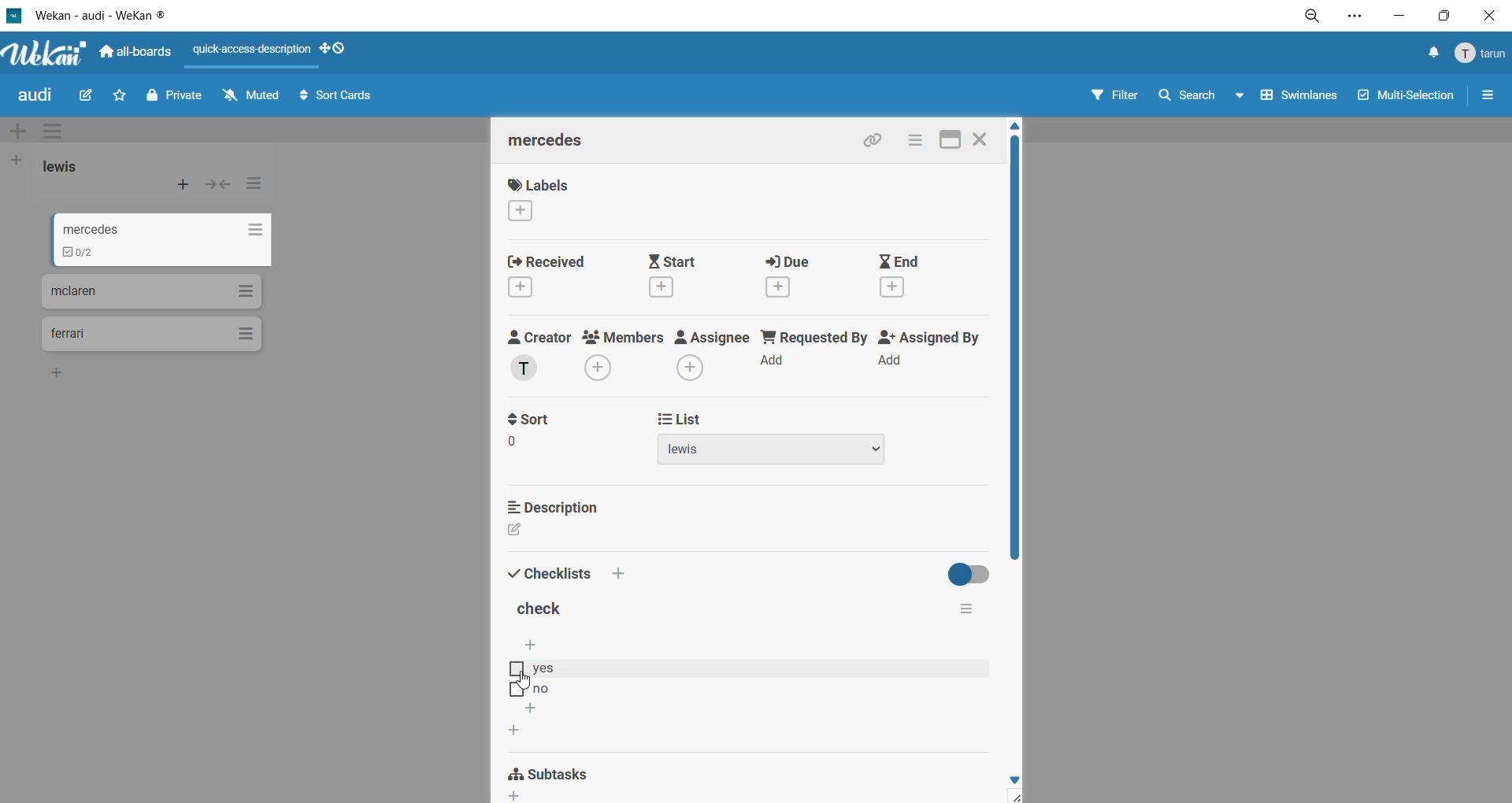 This screenshot has height=803, width=1512. Describe the element at coordinates (251, 50) in the screenshot. I see `quick access description` at that location.